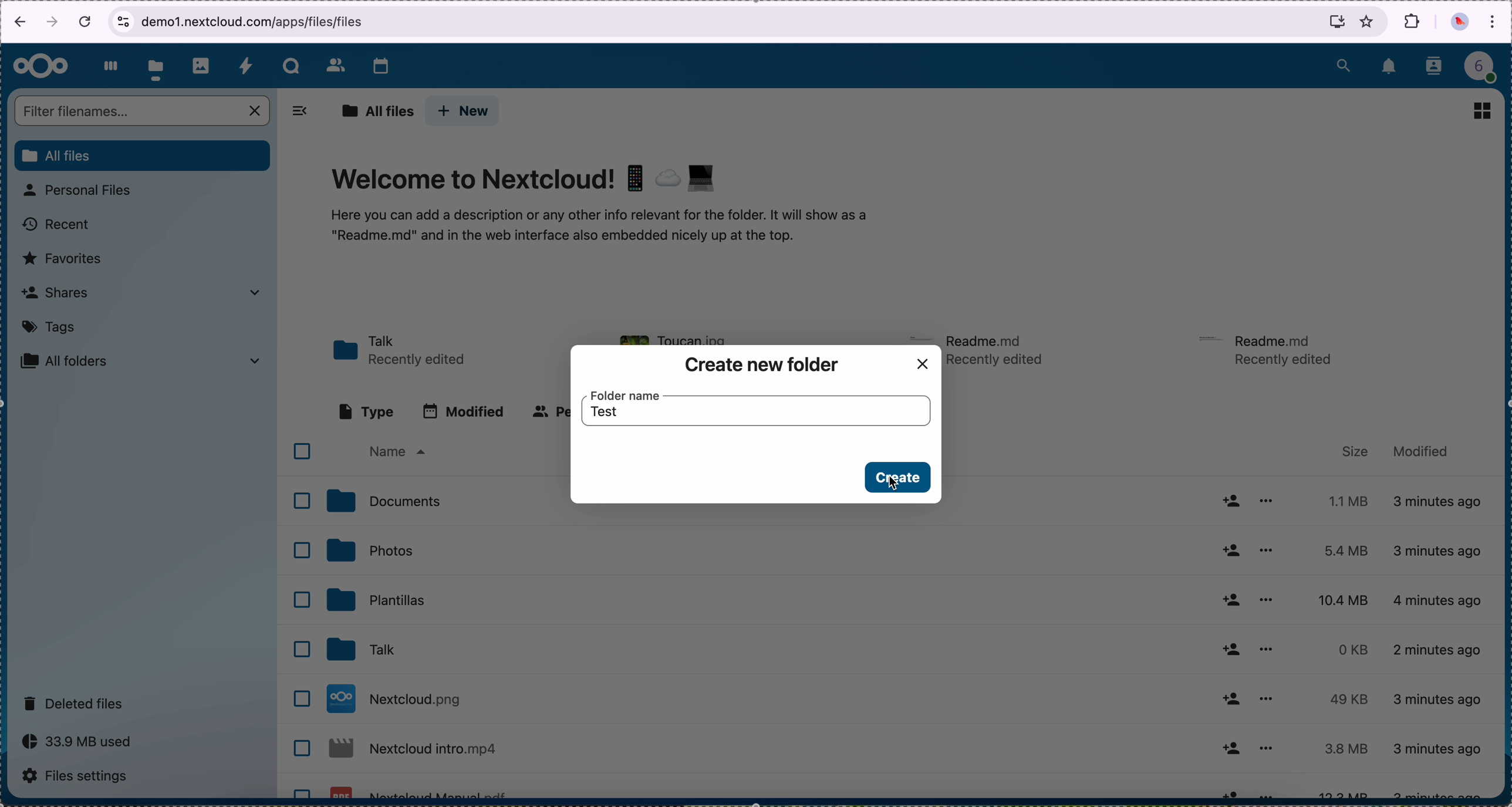 The width and height of the screenshot is (1512, 807). What do you see at coordinates (1343, 750) in the screenshot?
I see `3.8 MB` at bounding box center [1343, 750].